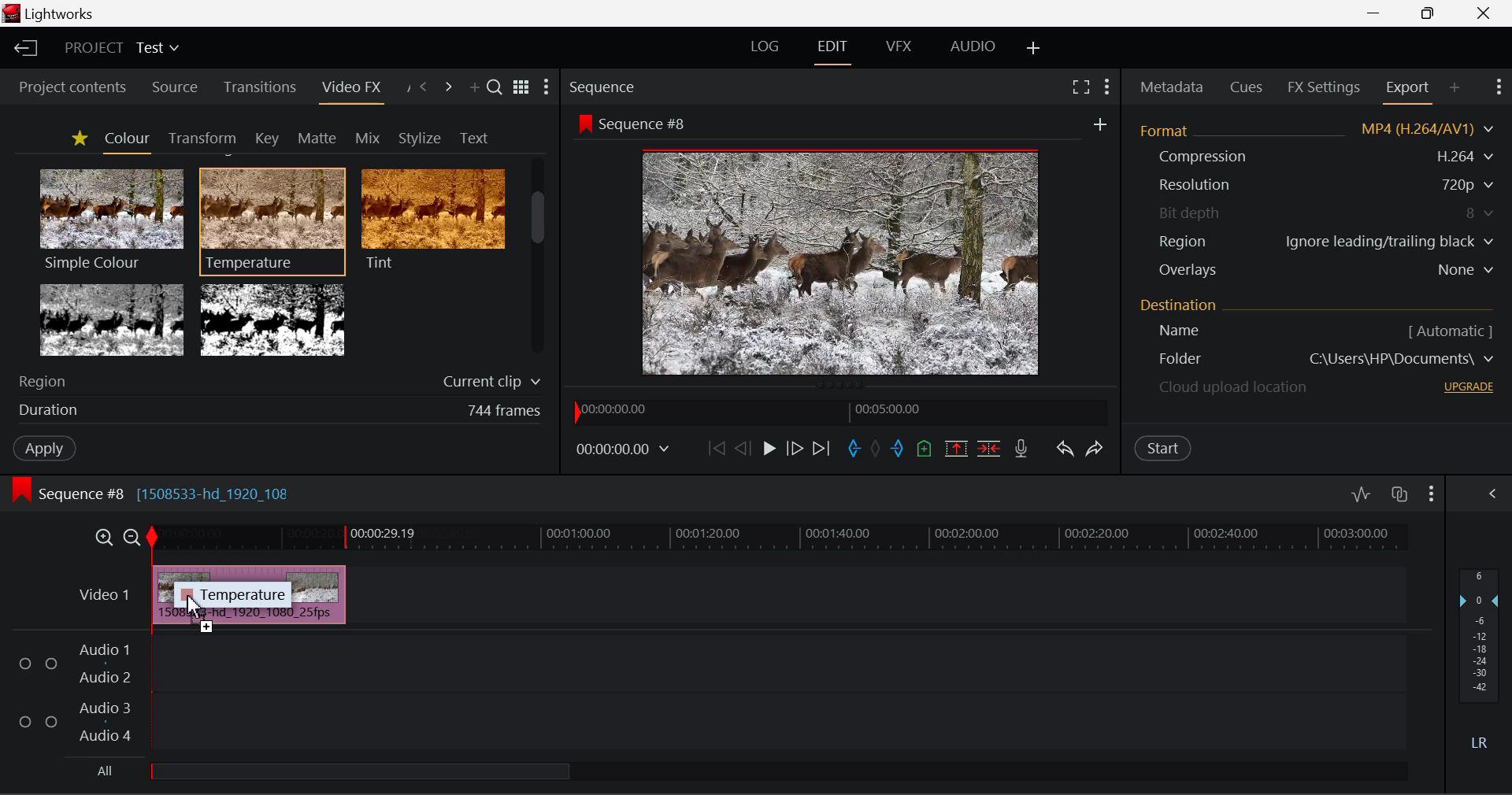  I want to click on 8 , so click(1481, 213).